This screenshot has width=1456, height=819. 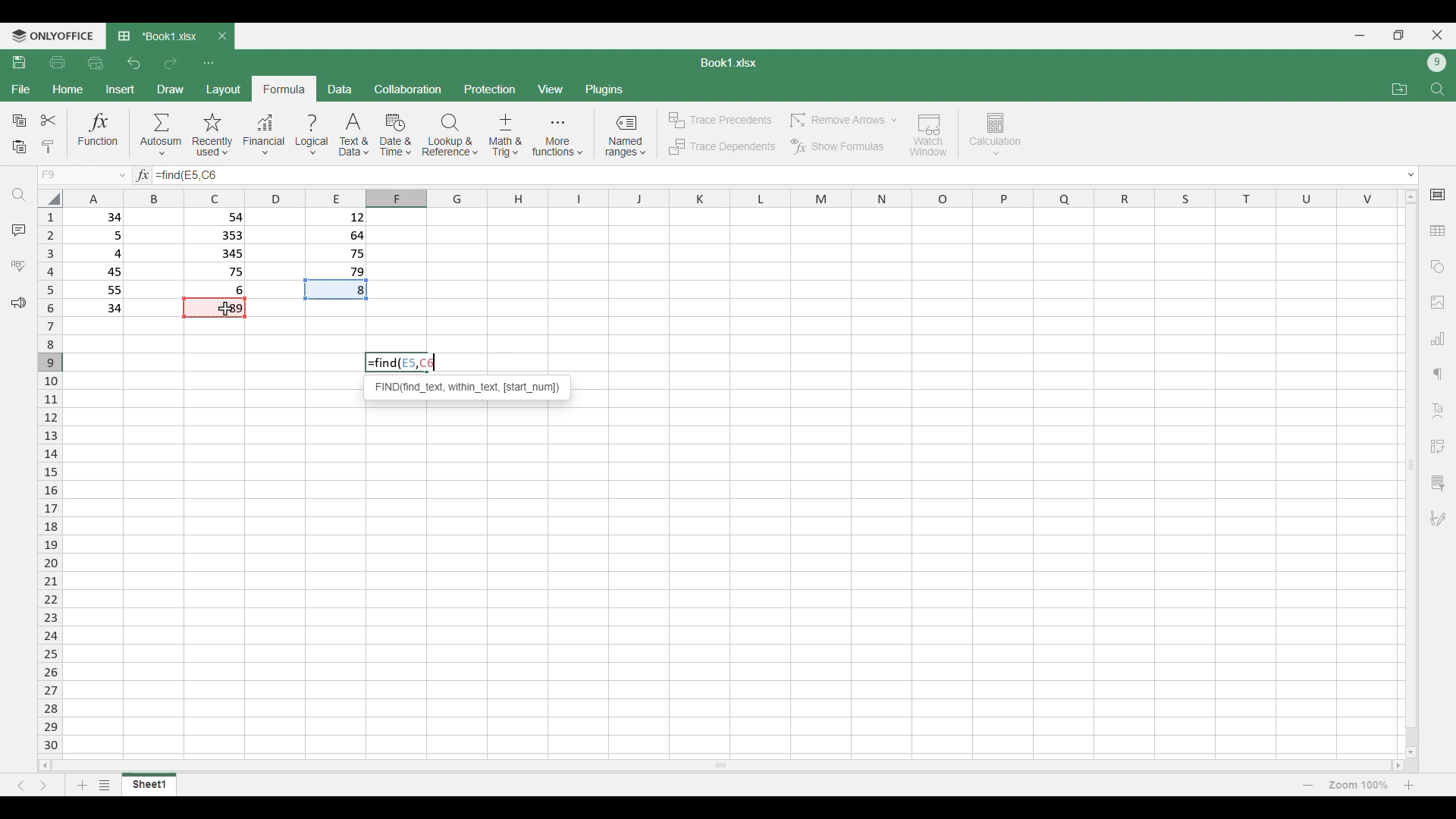 I want to click on Remove arrow, so click(x=842, y=121).